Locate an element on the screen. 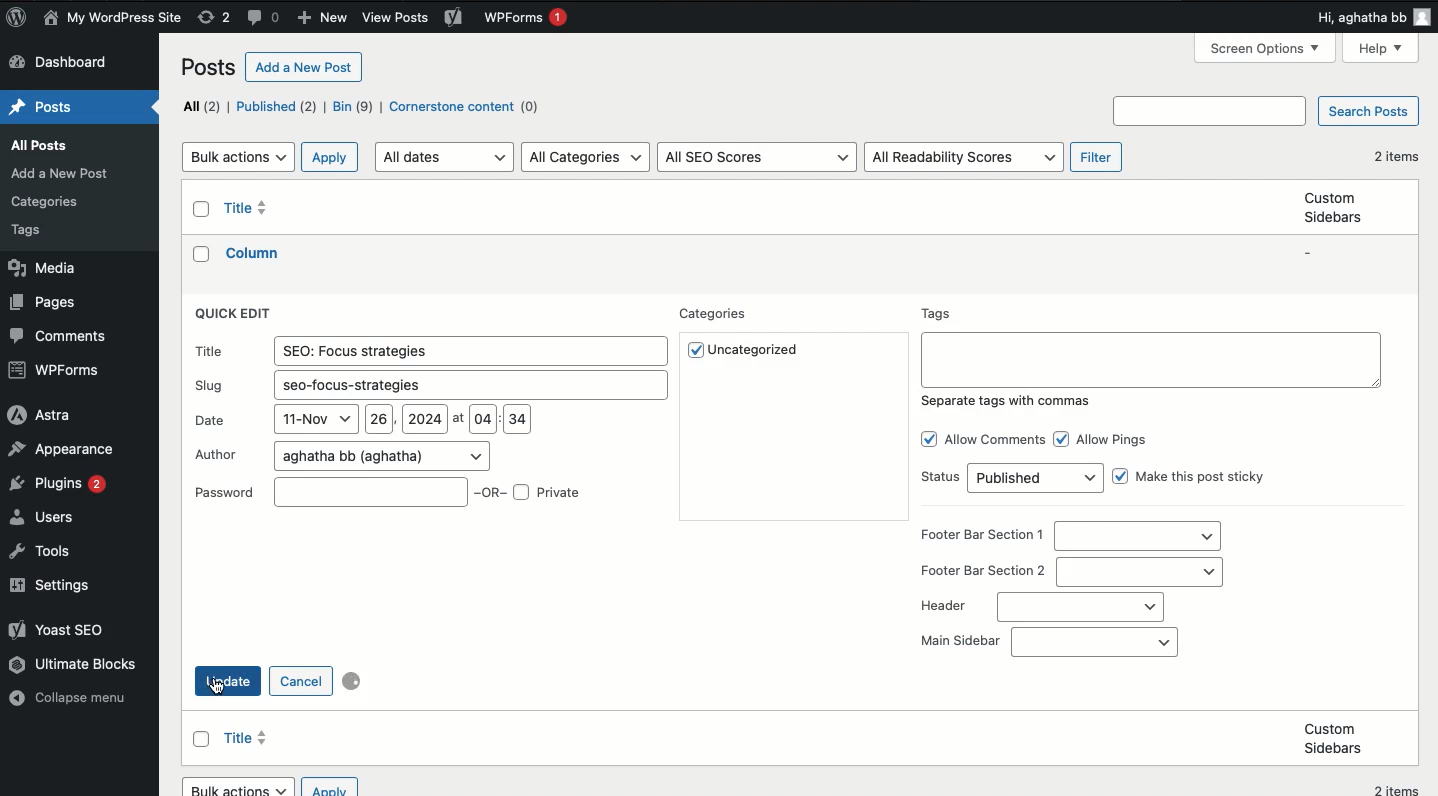  status is located at coordinates (1036, 479).